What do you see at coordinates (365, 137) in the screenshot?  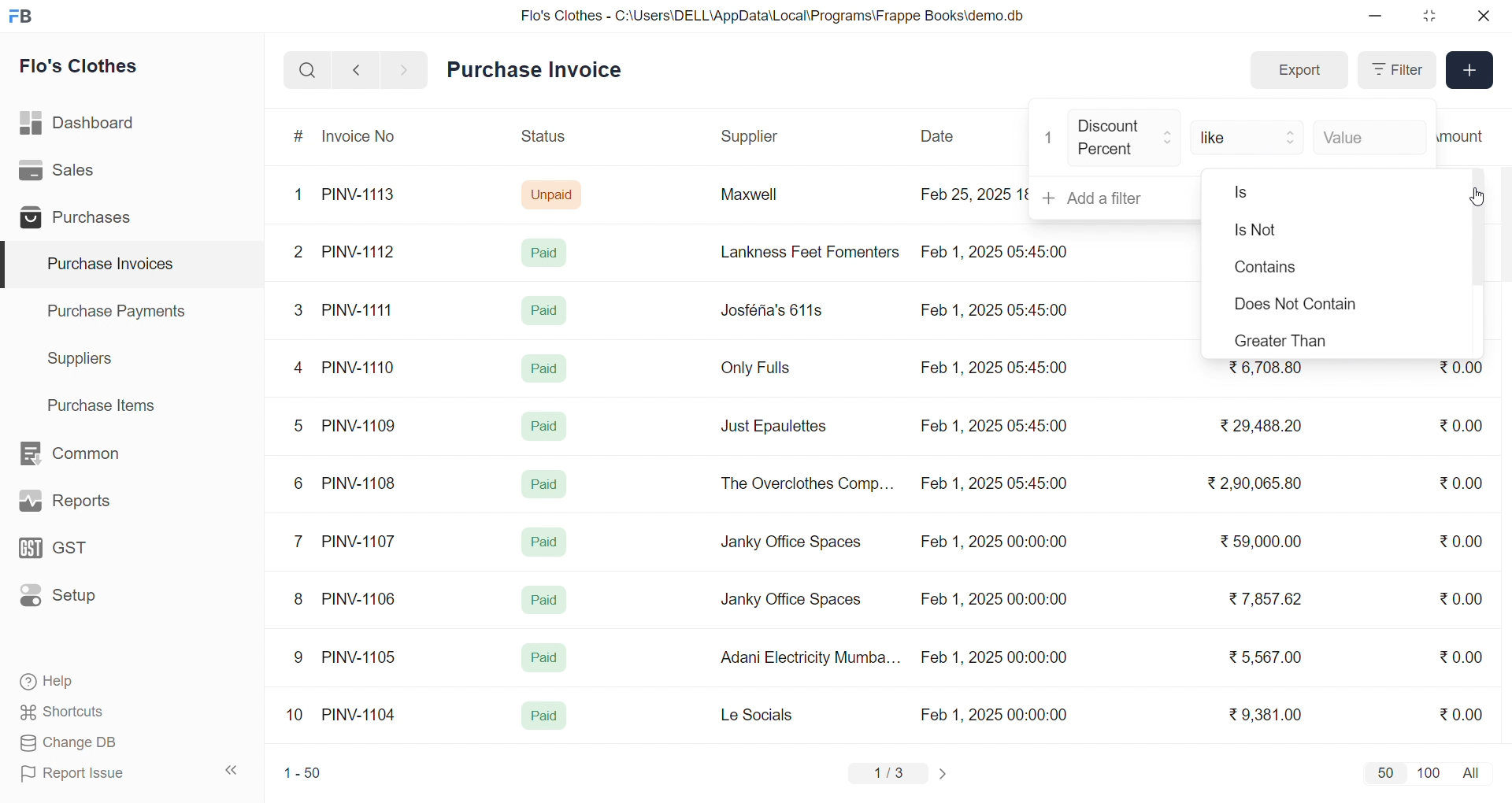 I see `Invoice No` at bounding box center [365, 137].